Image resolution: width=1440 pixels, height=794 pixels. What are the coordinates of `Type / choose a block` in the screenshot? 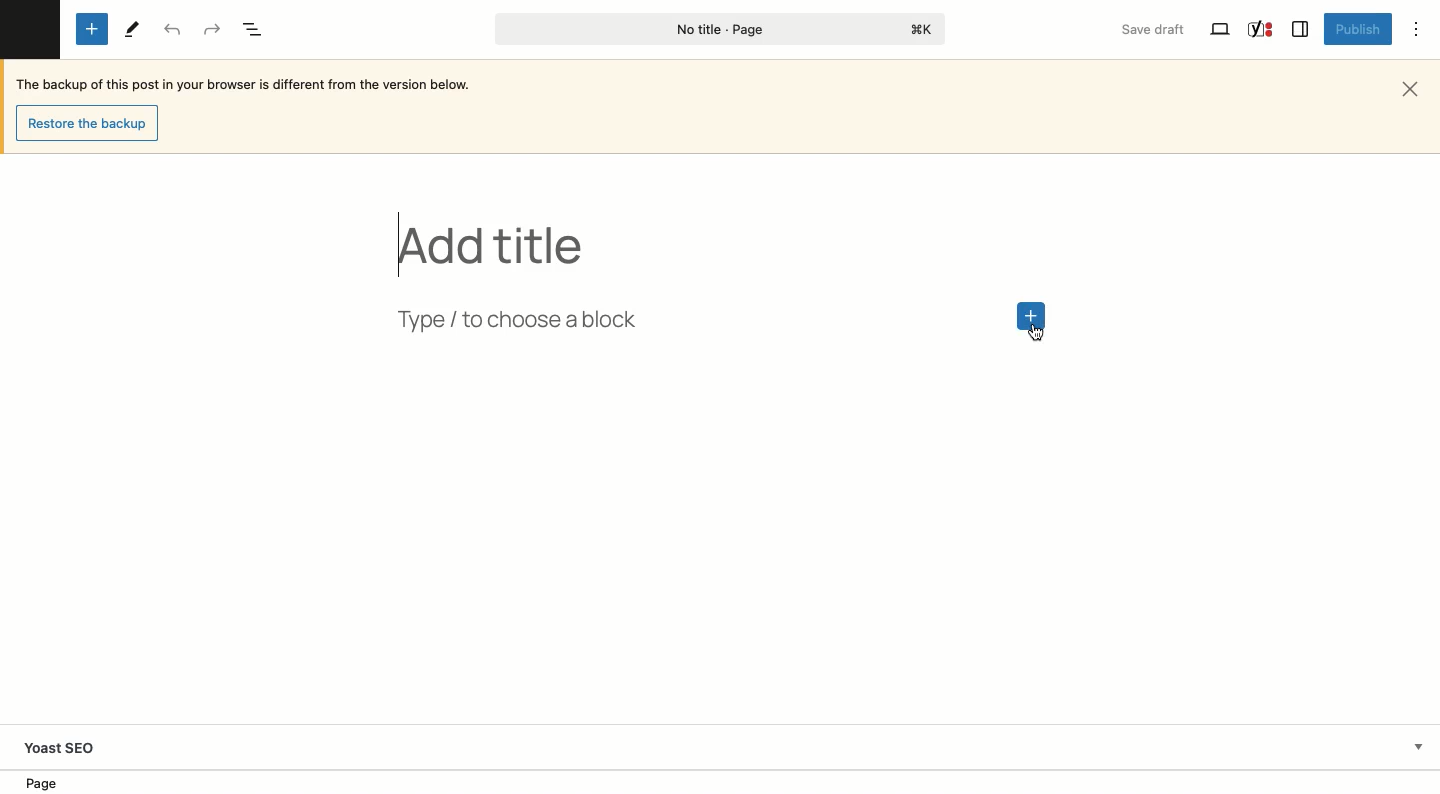 It's located at (553, 318).